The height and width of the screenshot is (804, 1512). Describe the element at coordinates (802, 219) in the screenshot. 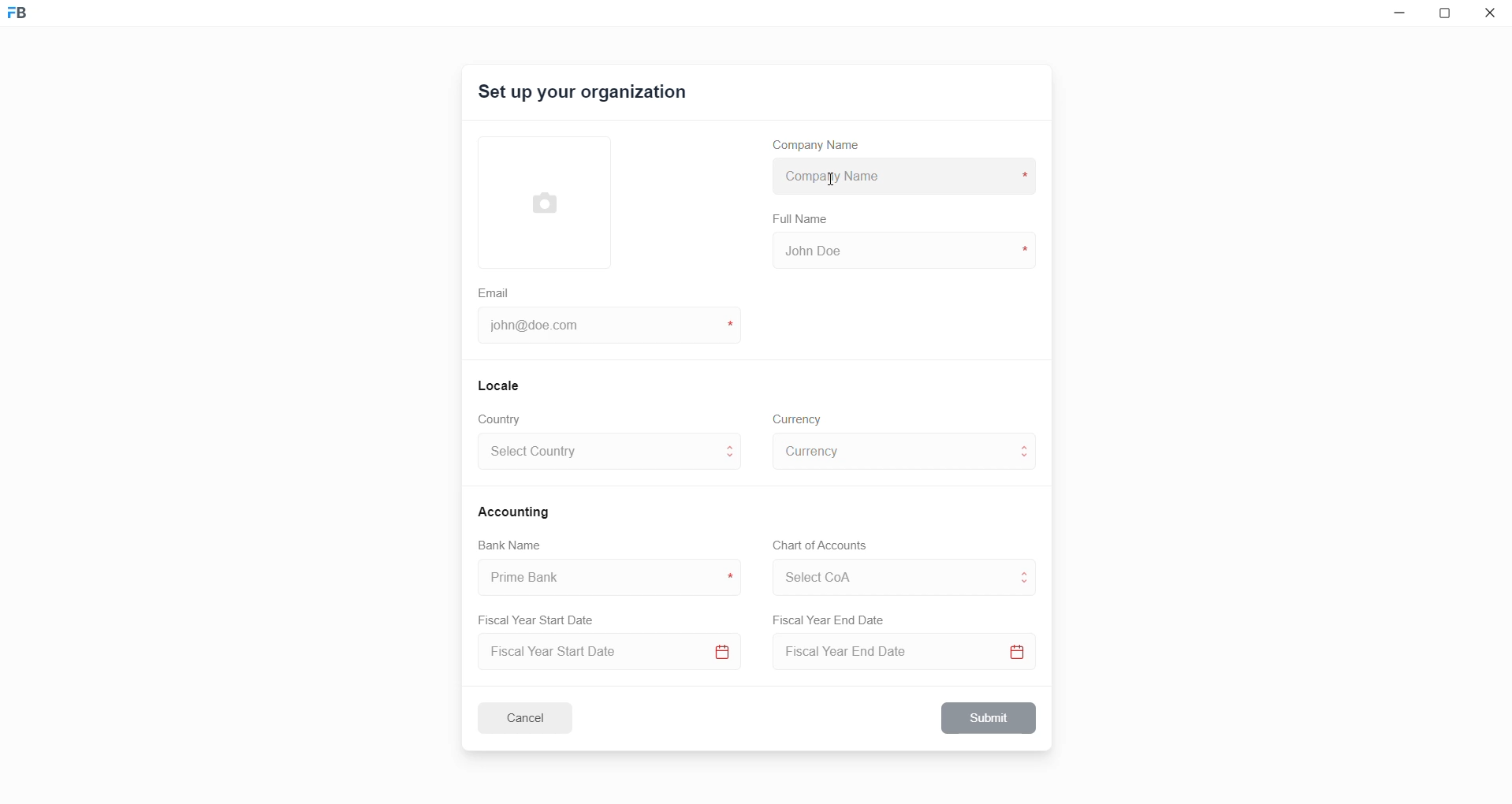

I see `Full Name` at that location.